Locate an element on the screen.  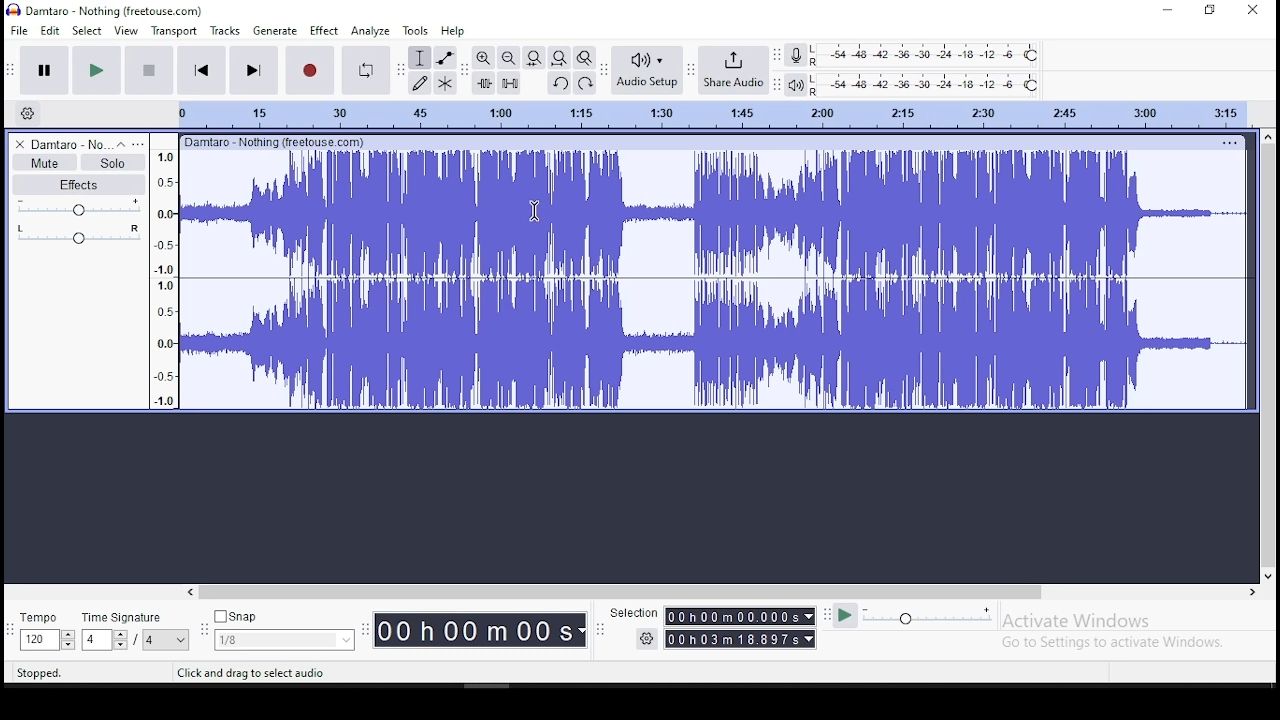
scroll bar is located at coordinates (723, 593).